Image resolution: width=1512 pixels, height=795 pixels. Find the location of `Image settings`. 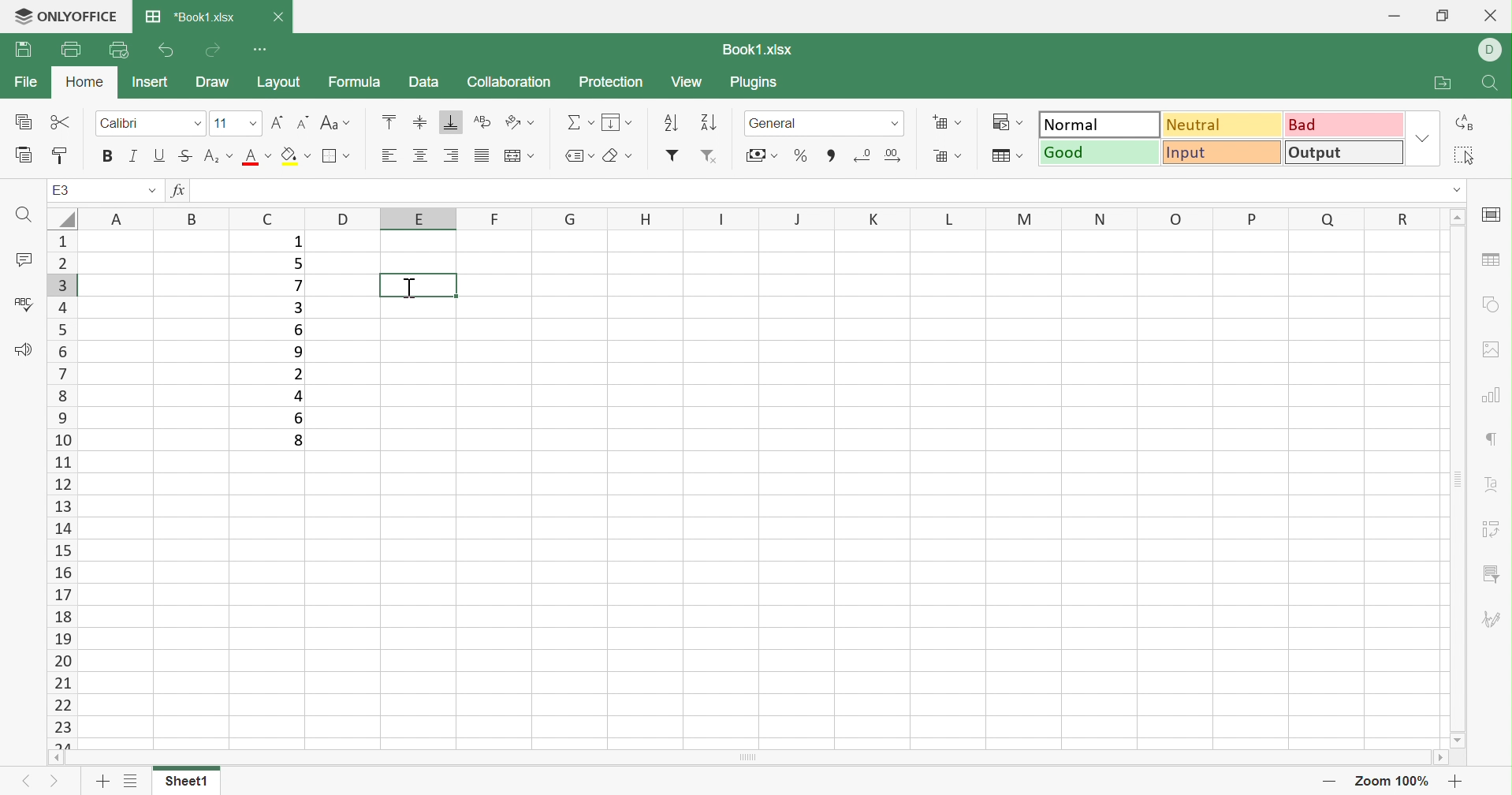

Image settings is located at coordinates (1495, 348).